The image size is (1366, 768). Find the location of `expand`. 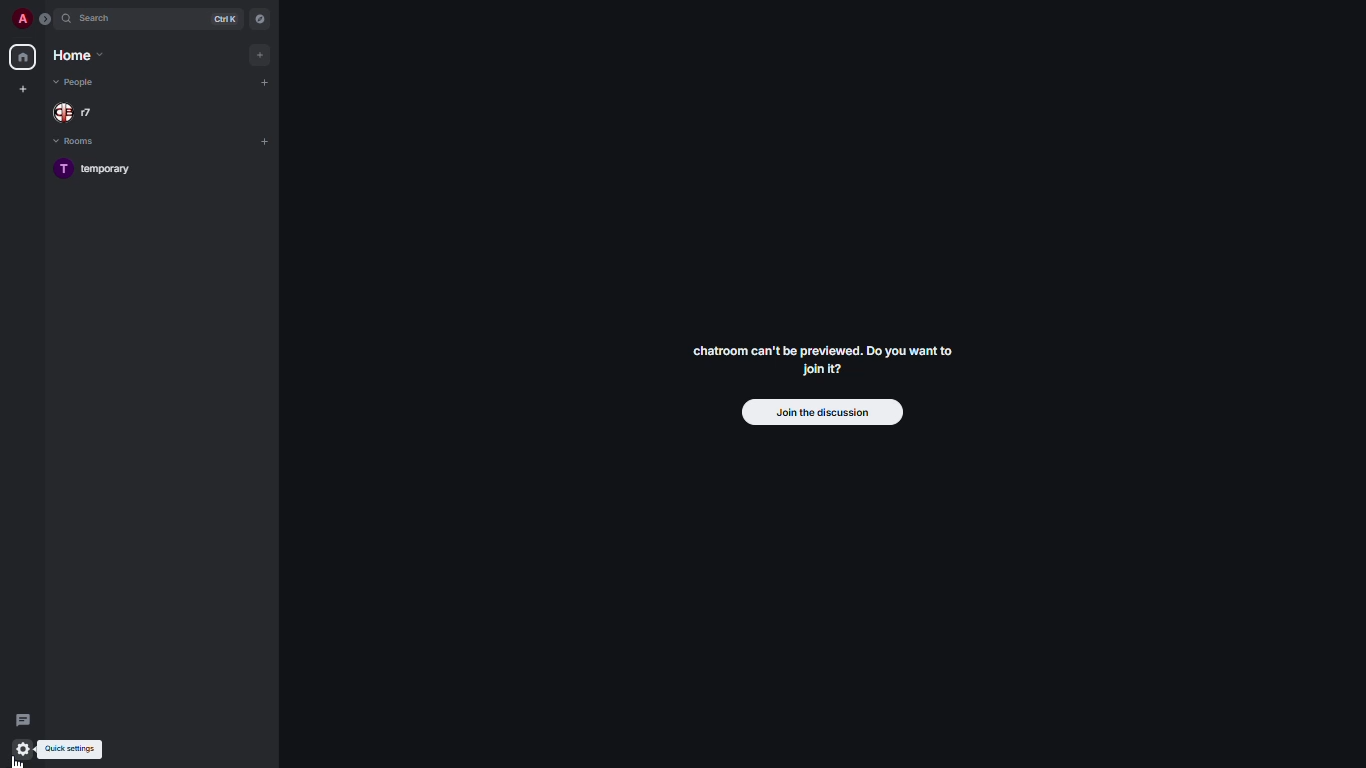

expand is located at coordinates (48, 18).